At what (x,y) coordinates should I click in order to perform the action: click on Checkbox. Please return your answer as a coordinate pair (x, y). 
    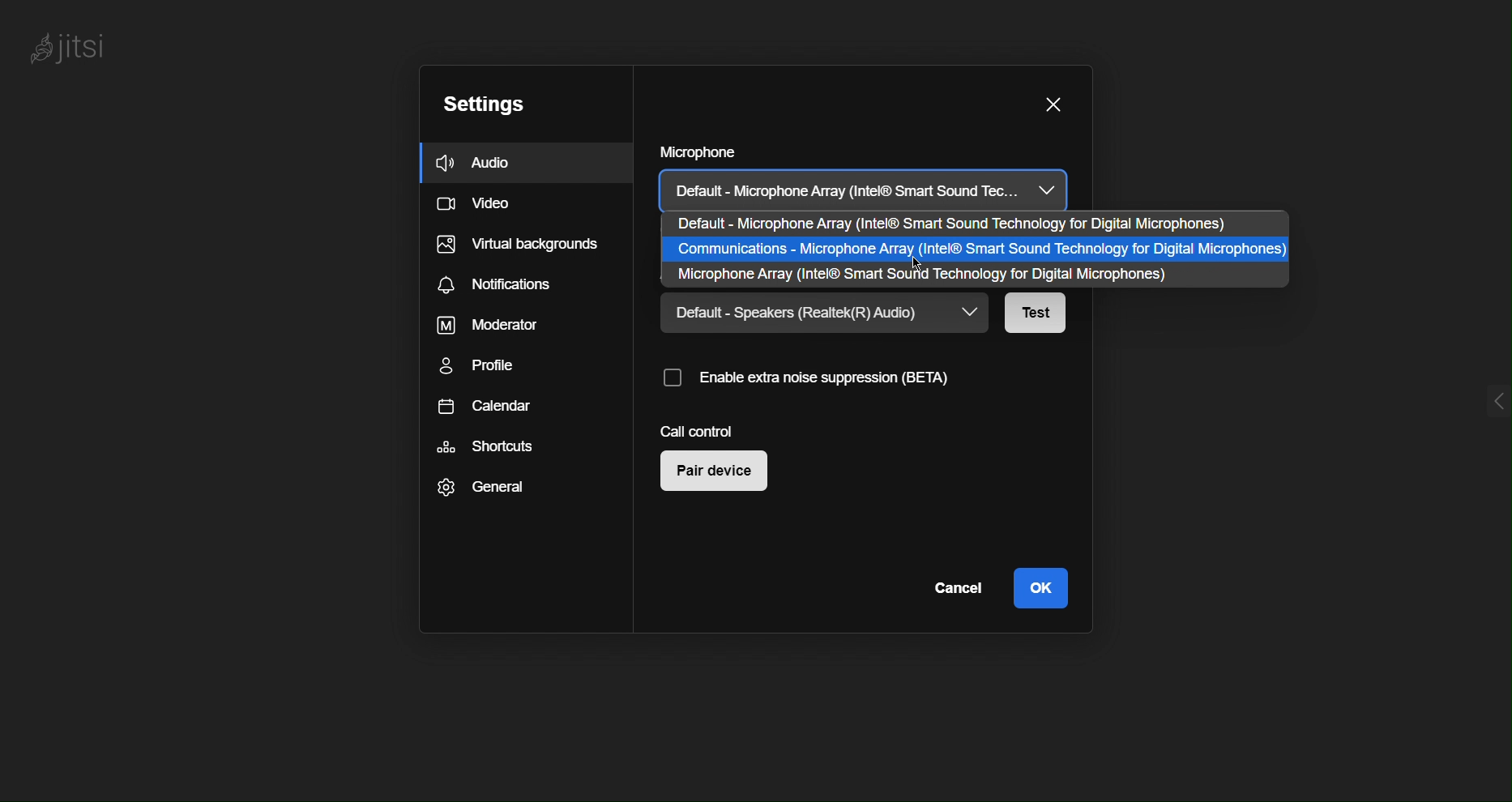
    Looking at the image, I should click on (671, 376).